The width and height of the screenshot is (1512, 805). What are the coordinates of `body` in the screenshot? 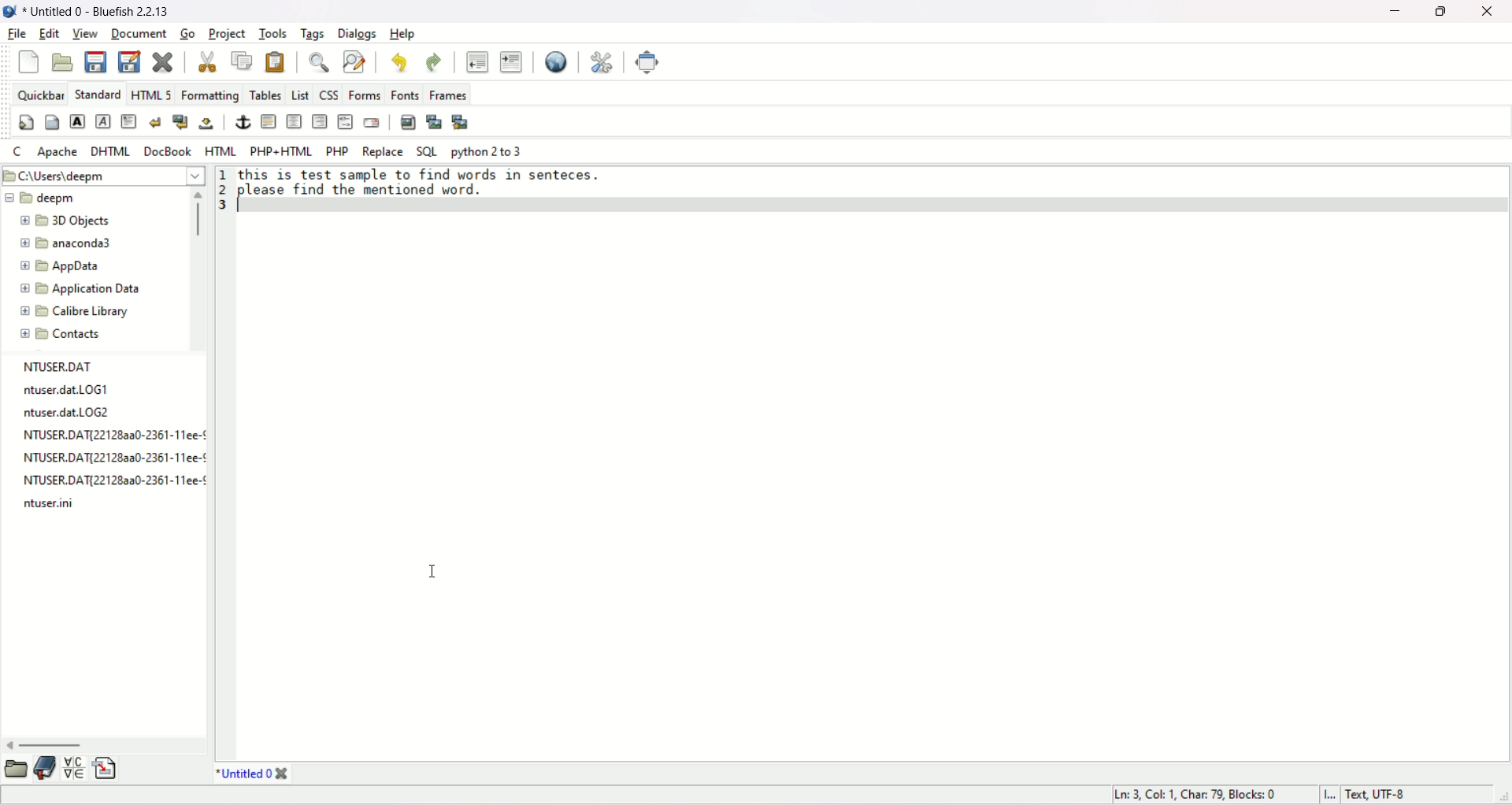 It's located at (51, 122).